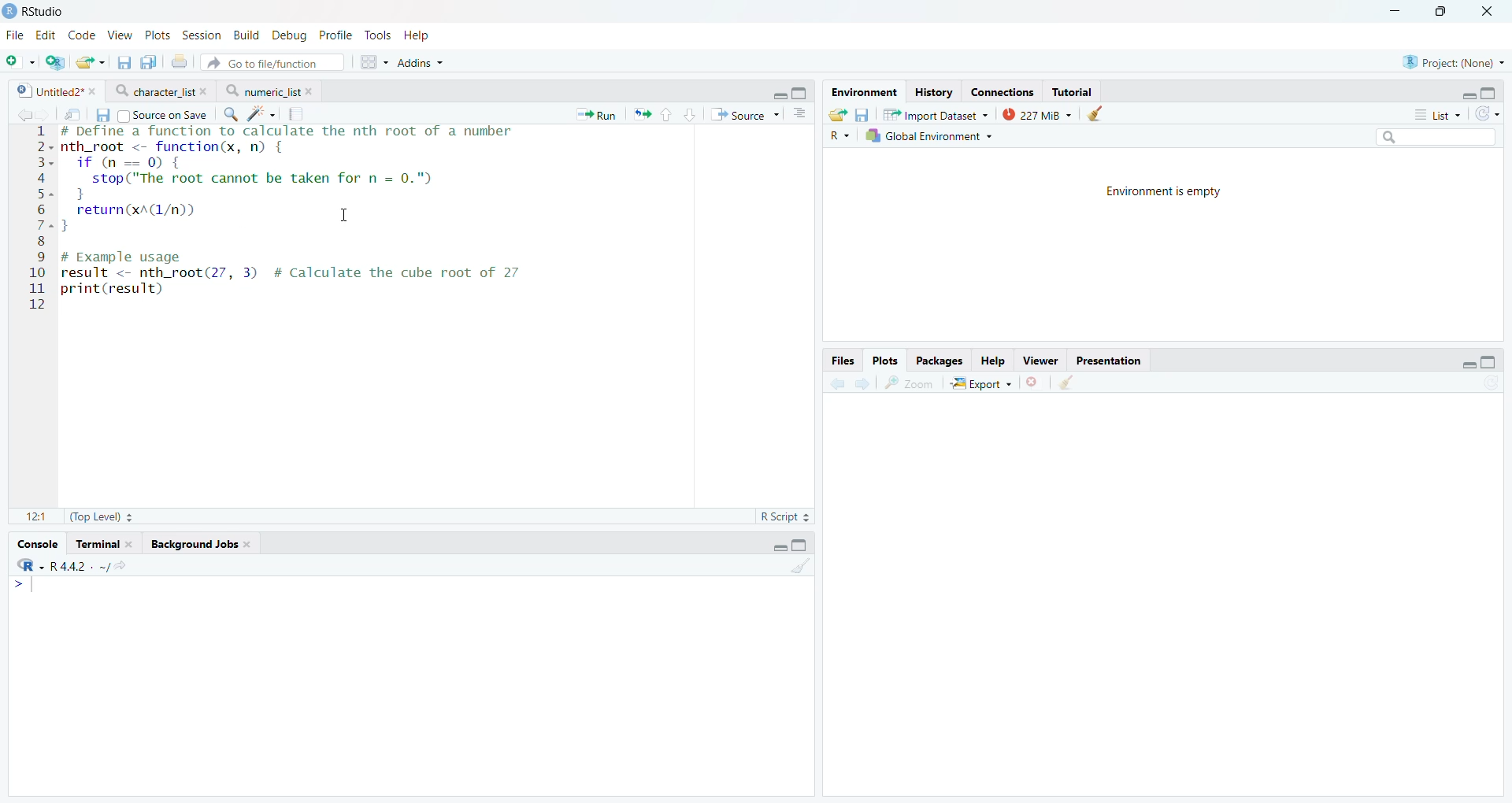  What do you see at coordinates (161, 91) in the screenshot?
I see `character list` at bounding box center [161, 91].